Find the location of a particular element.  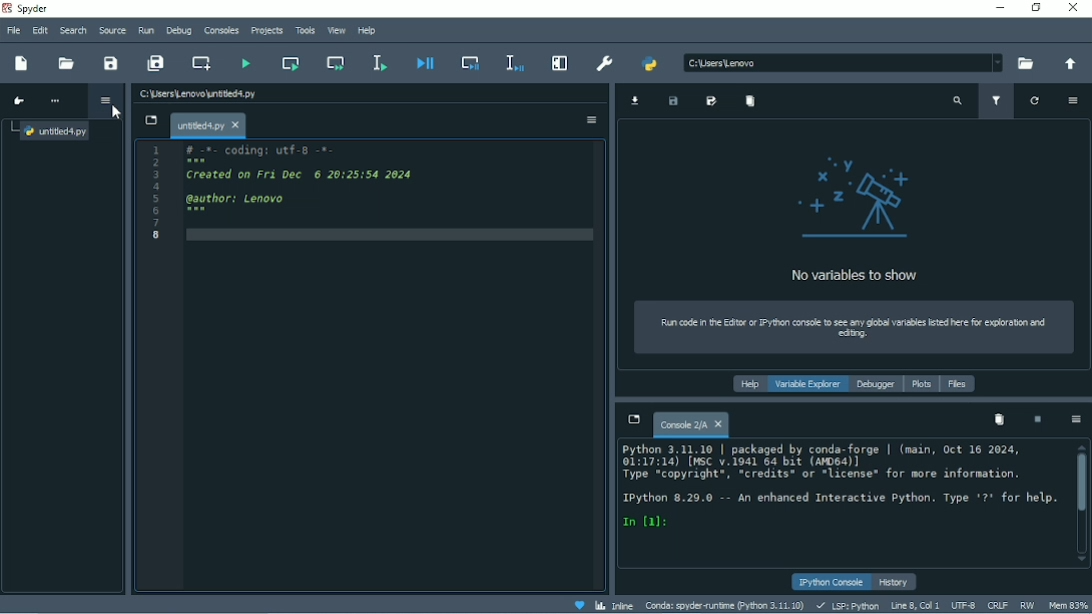

Mem is located at coordinates (1069, 604).